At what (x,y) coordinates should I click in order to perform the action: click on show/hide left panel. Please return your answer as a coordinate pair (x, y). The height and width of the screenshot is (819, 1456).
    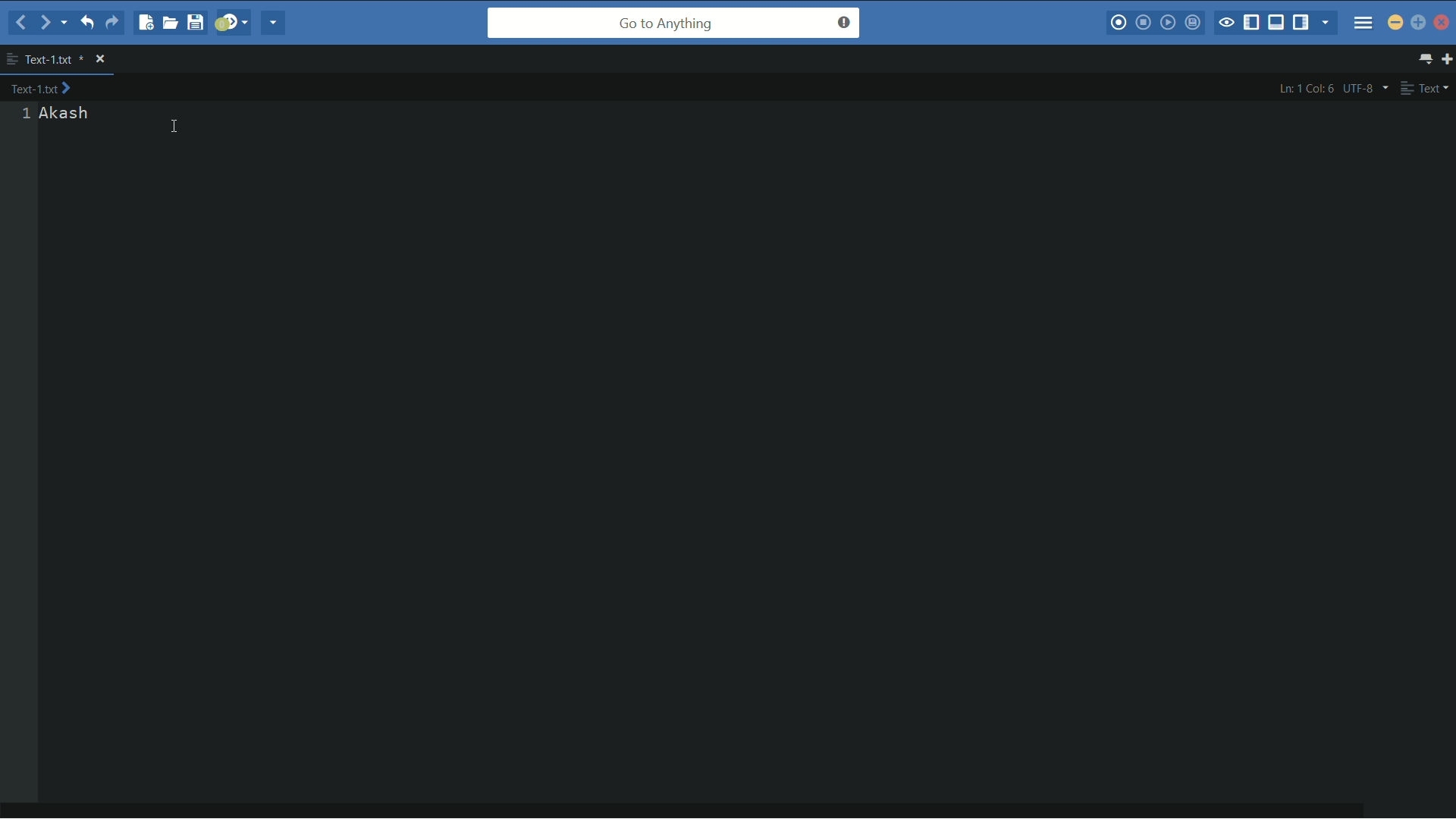
    Looking at the image, I should click on (1252, 23).